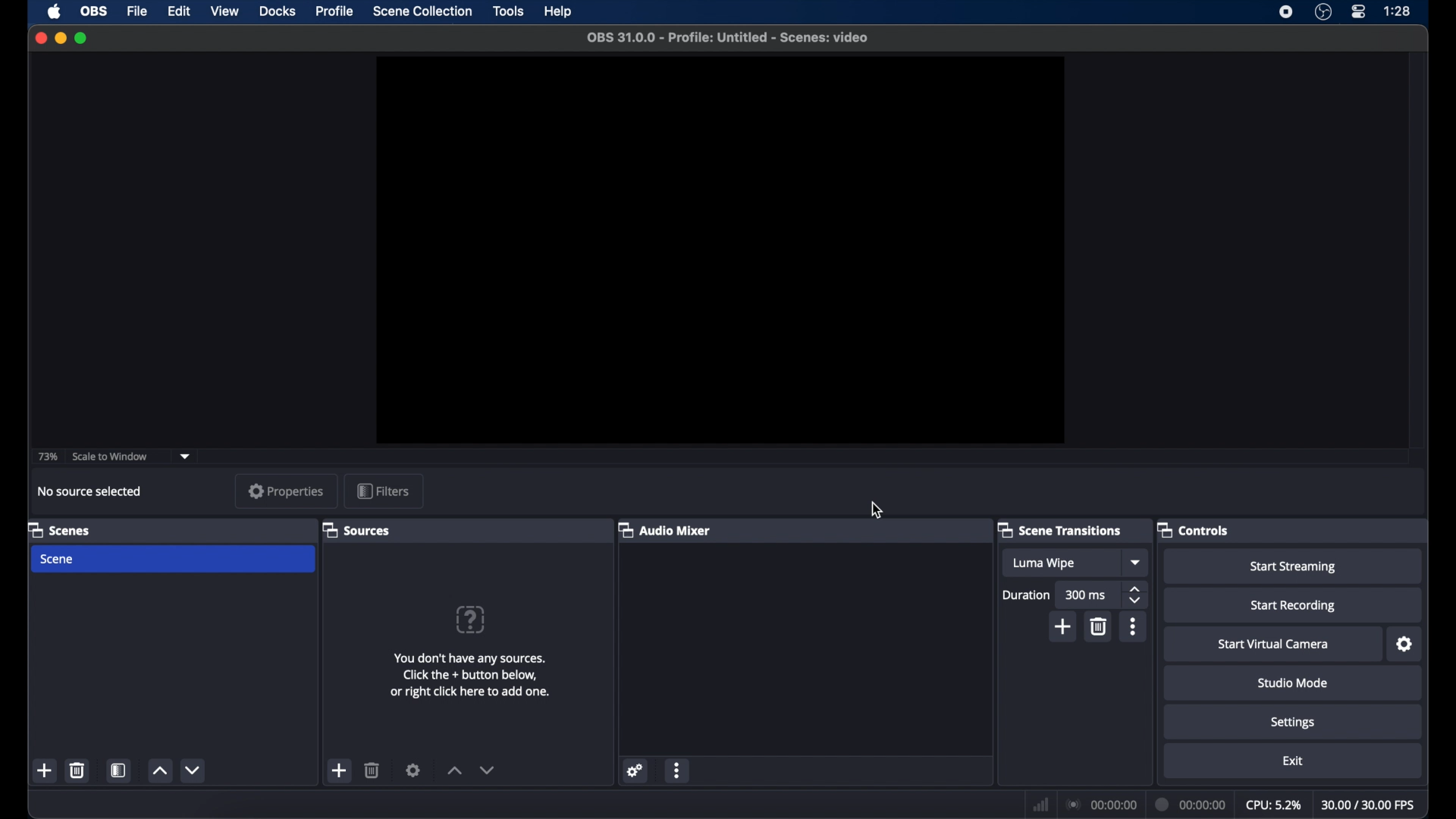  What do you see at coordinates (120, 770) in the screenshot?
I see `scene filters` at bounding box center [120, 770].